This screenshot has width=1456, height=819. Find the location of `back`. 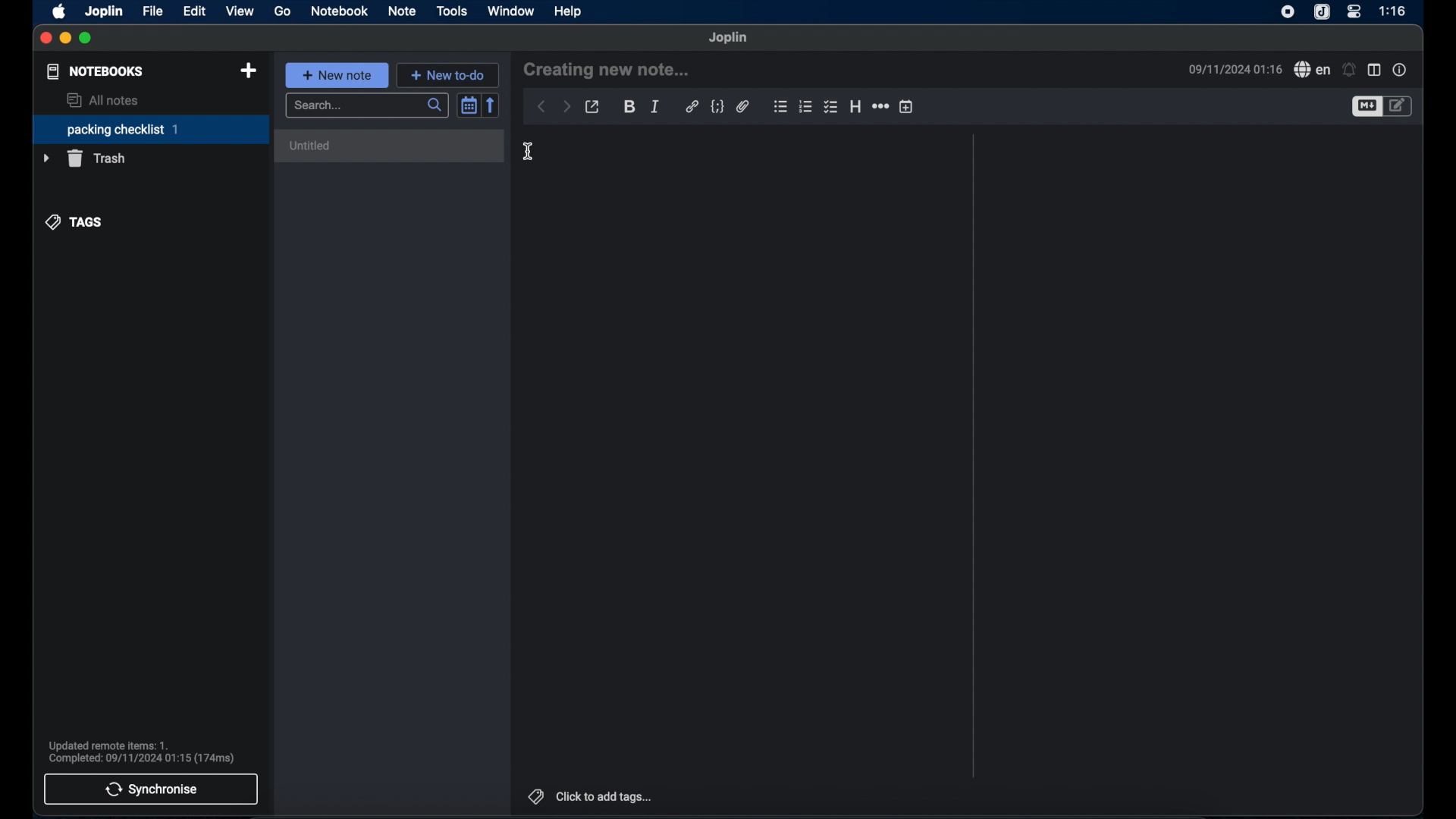

back is located at coordinates (541, 107).